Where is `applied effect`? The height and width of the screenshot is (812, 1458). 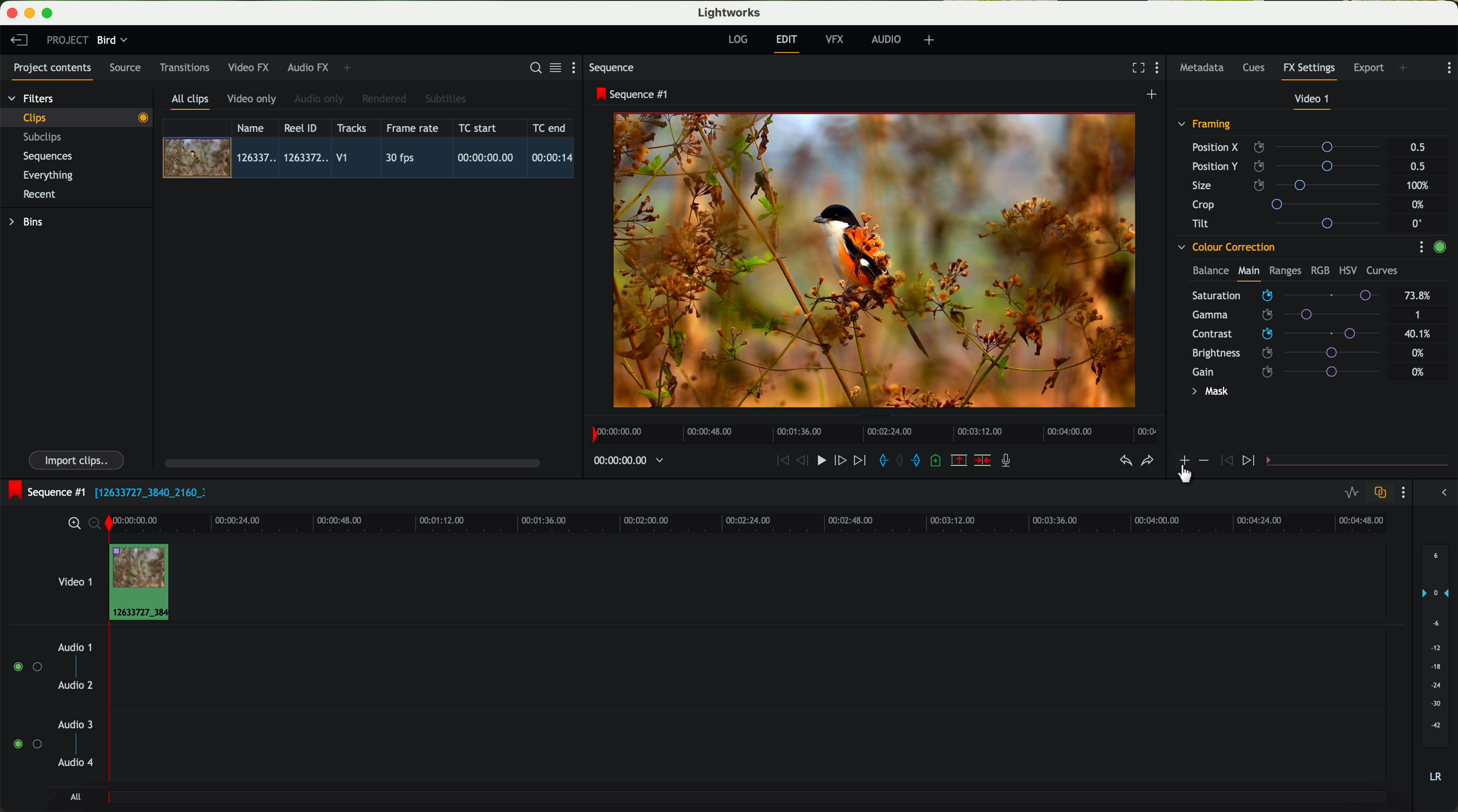
applied effect is located at coordinates (877, 260).